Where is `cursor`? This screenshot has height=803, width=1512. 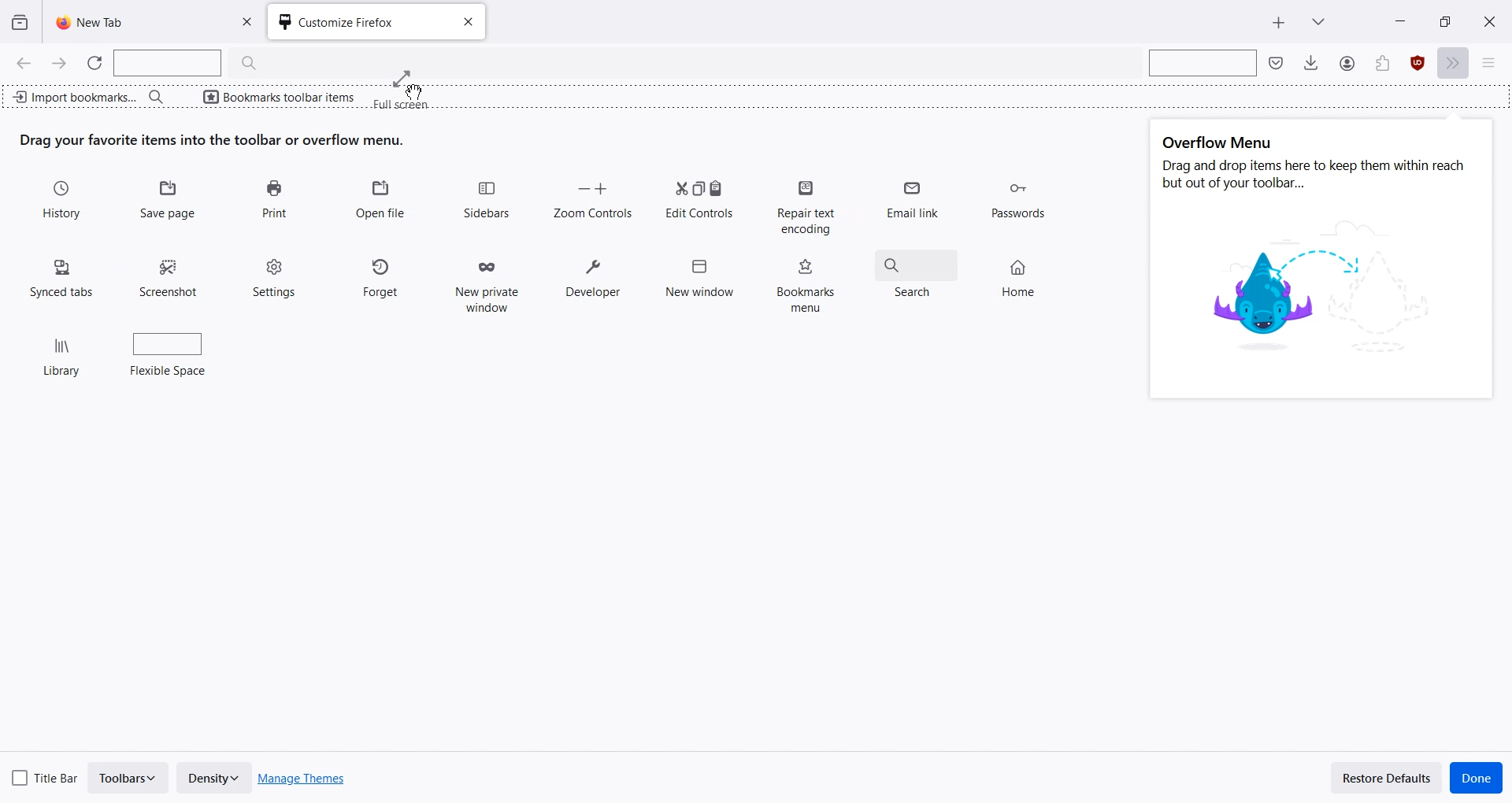
cursor is located at coordinates (416, 94).